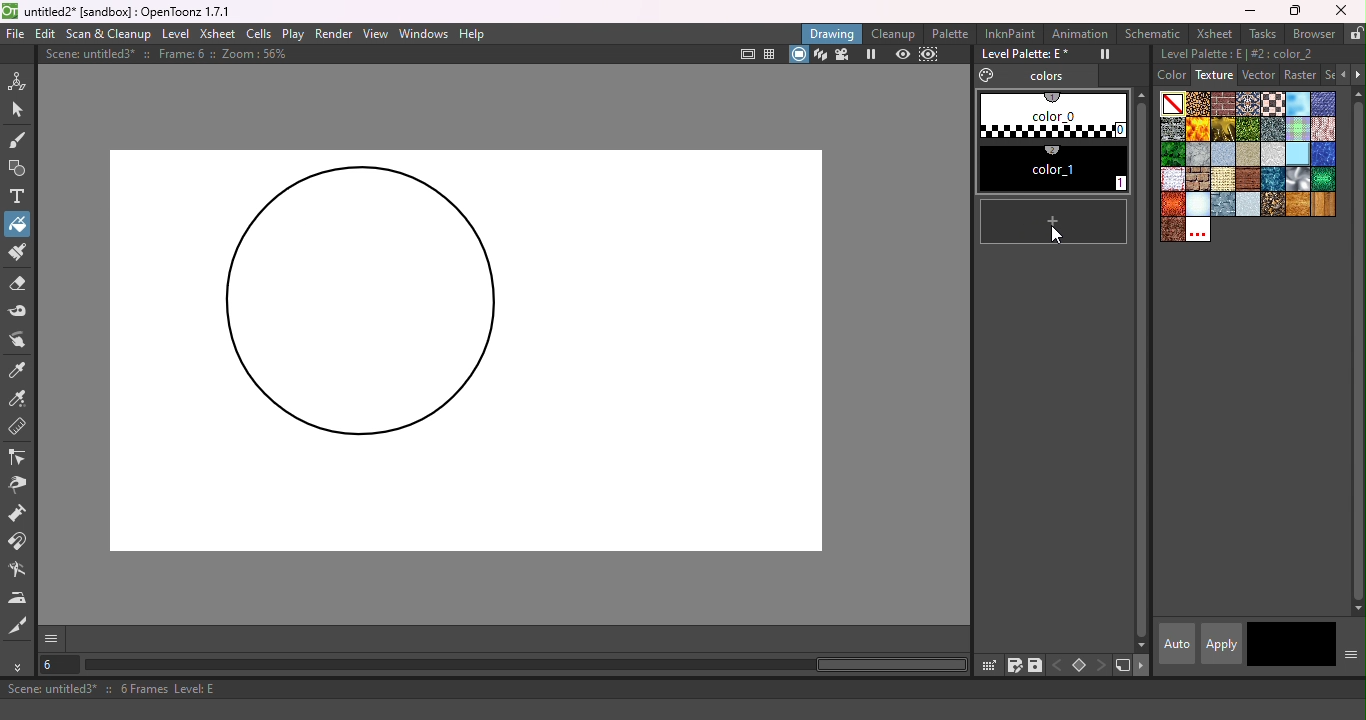 This screenshot has width=1366, height=720. I want to click on new style, so click(1122, 666).